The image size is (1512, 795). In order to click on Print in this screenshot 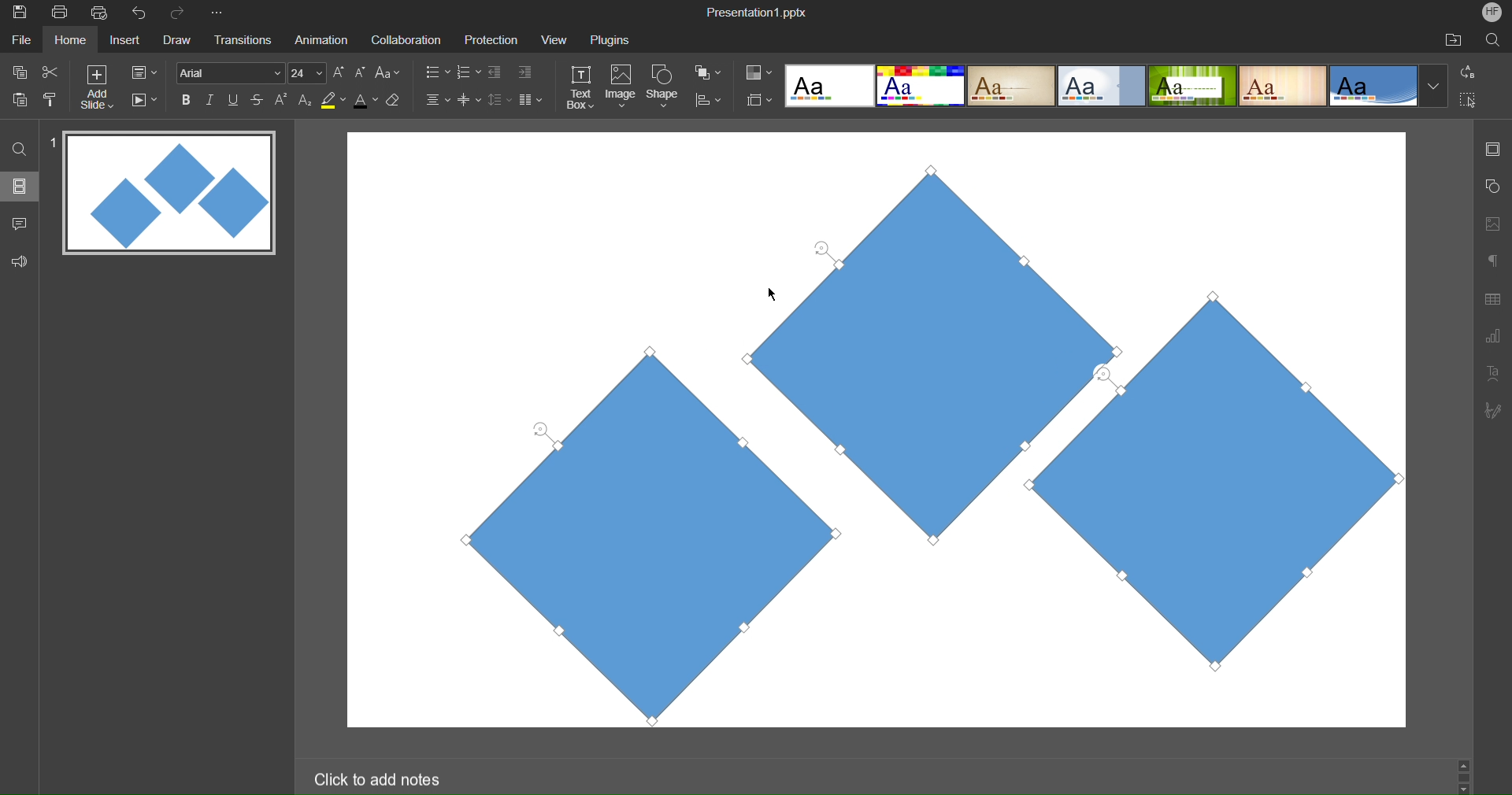, I will do `click(59, 13)`.